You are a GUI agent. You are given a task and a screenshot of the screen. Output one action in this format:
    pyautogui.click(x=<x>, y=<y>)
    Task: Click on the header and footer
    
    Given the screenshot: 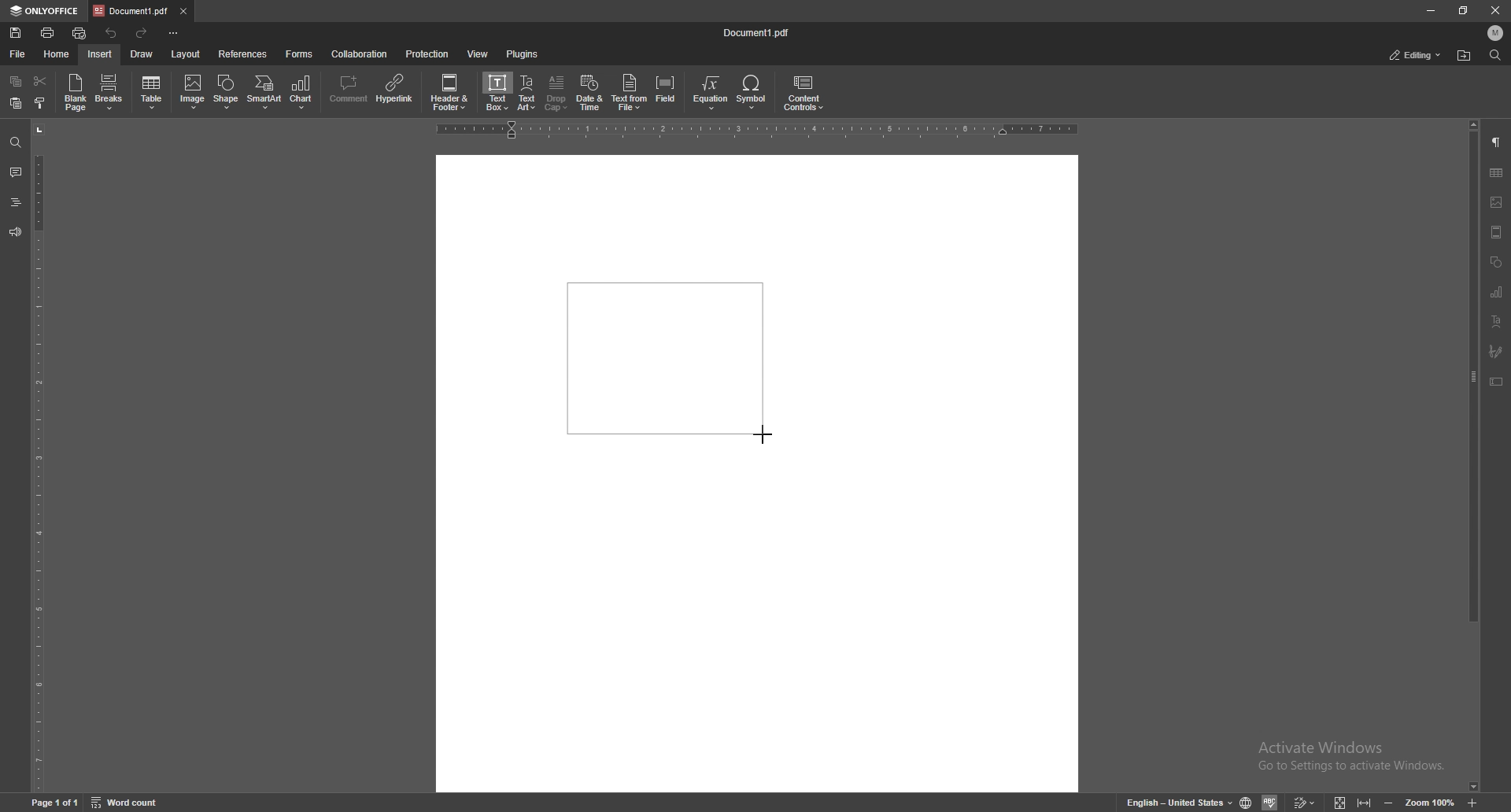 What is the action you would take?
    pyautogui.click(x=1496, y=232)
    